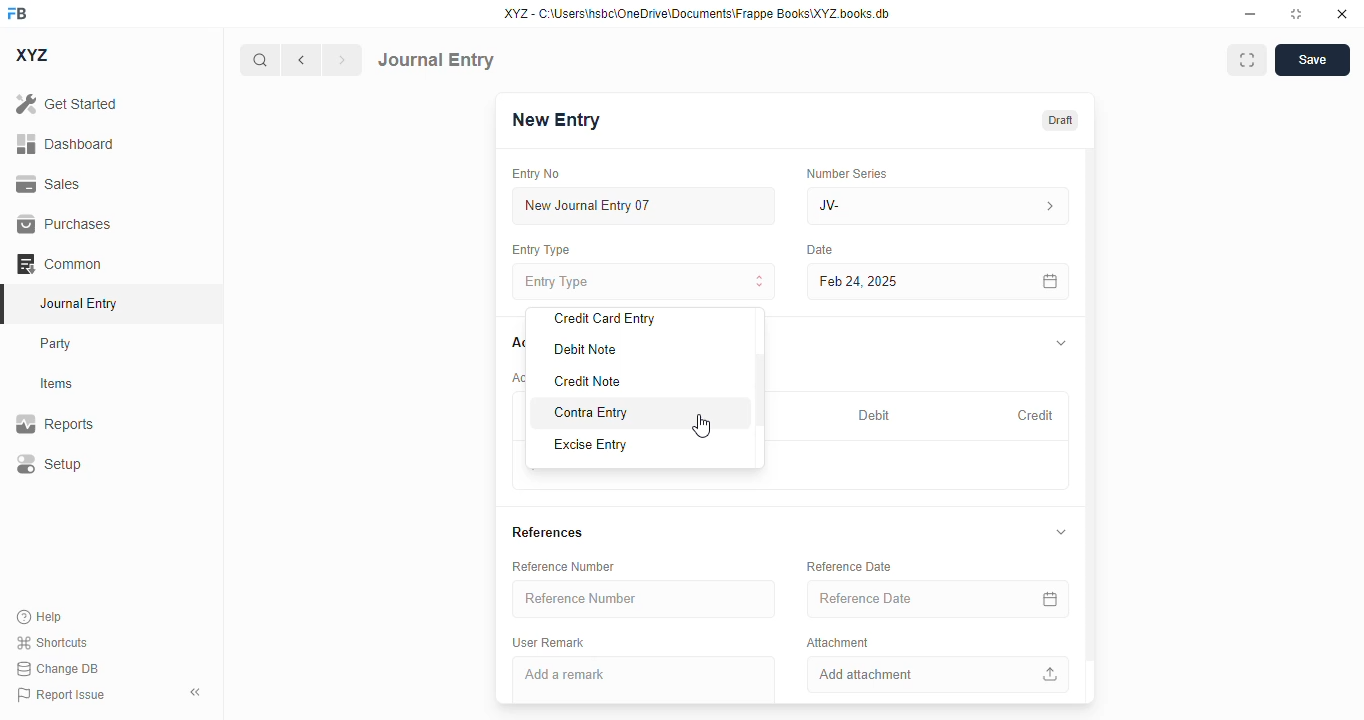 The width and height of the screenshot is (1364, 720). Describe the element at coordinates (1061, 119) in the screenshot. I see `draft` at that location.